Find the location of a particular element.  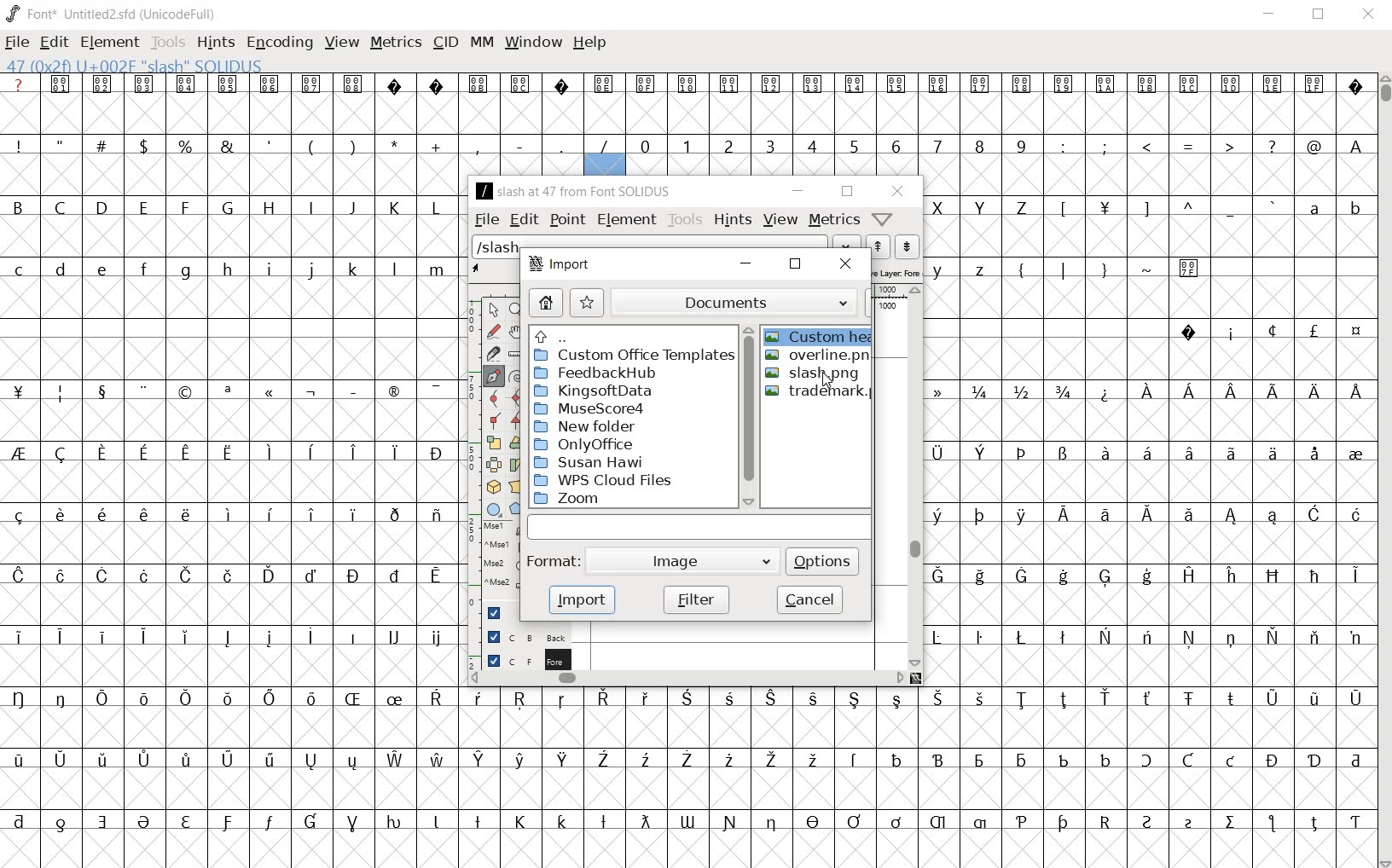

options is located at coordinates (822, 561).